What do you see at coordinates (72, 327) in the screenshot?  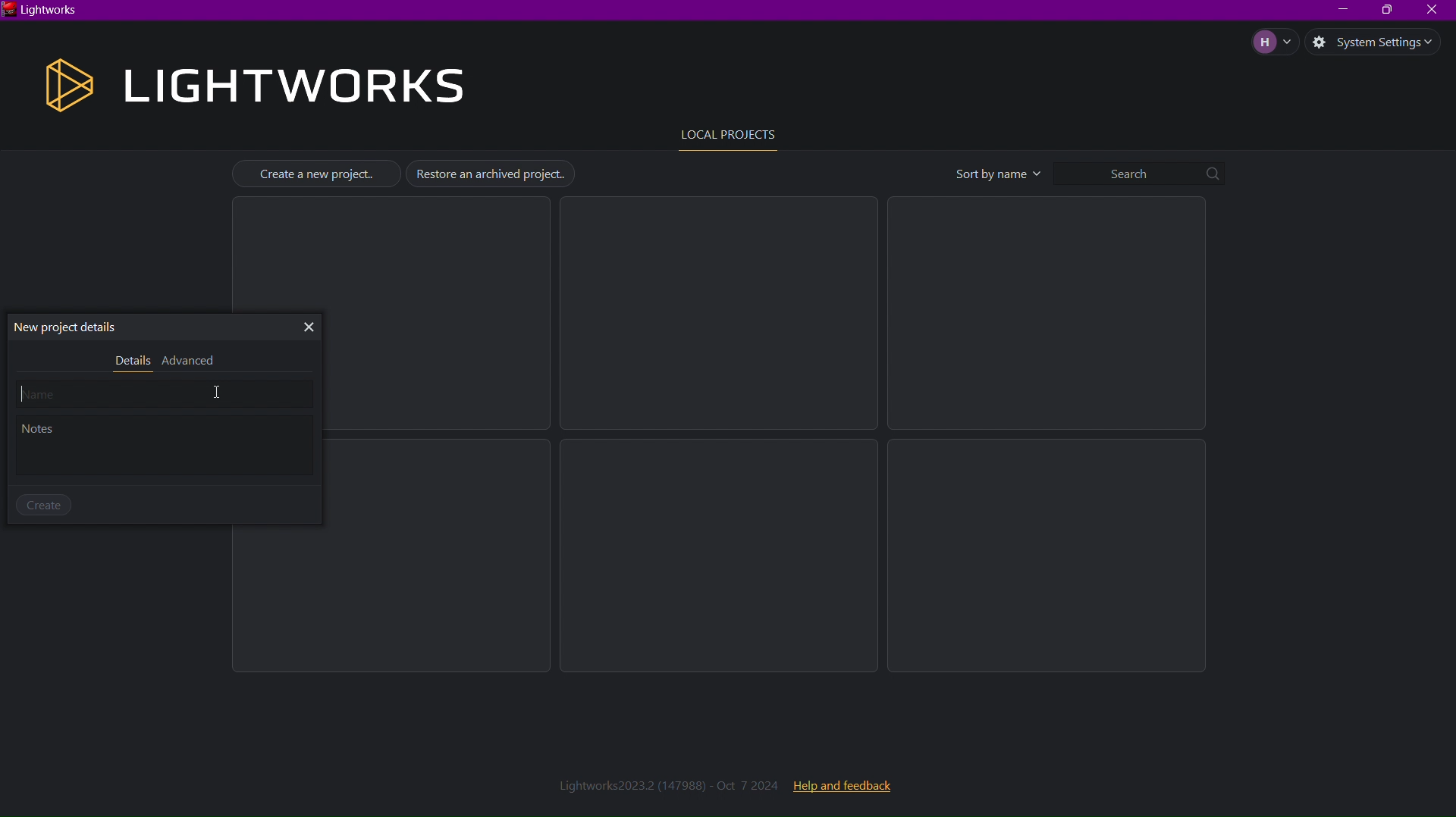 I see `New Project Details` at bounding box center [72, 327].